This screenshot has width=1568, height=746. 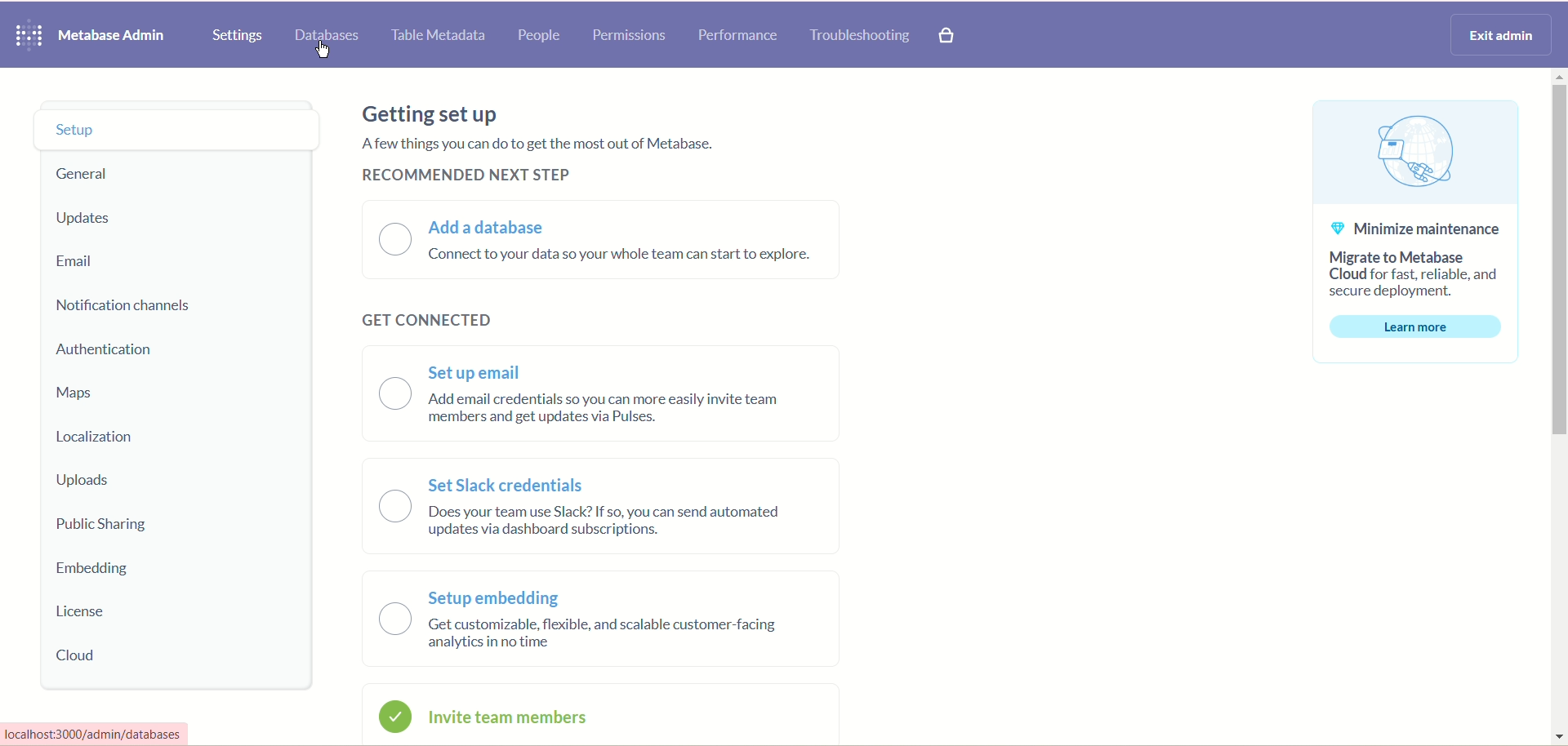 I want to click on logo, so click(x=25, y=36).